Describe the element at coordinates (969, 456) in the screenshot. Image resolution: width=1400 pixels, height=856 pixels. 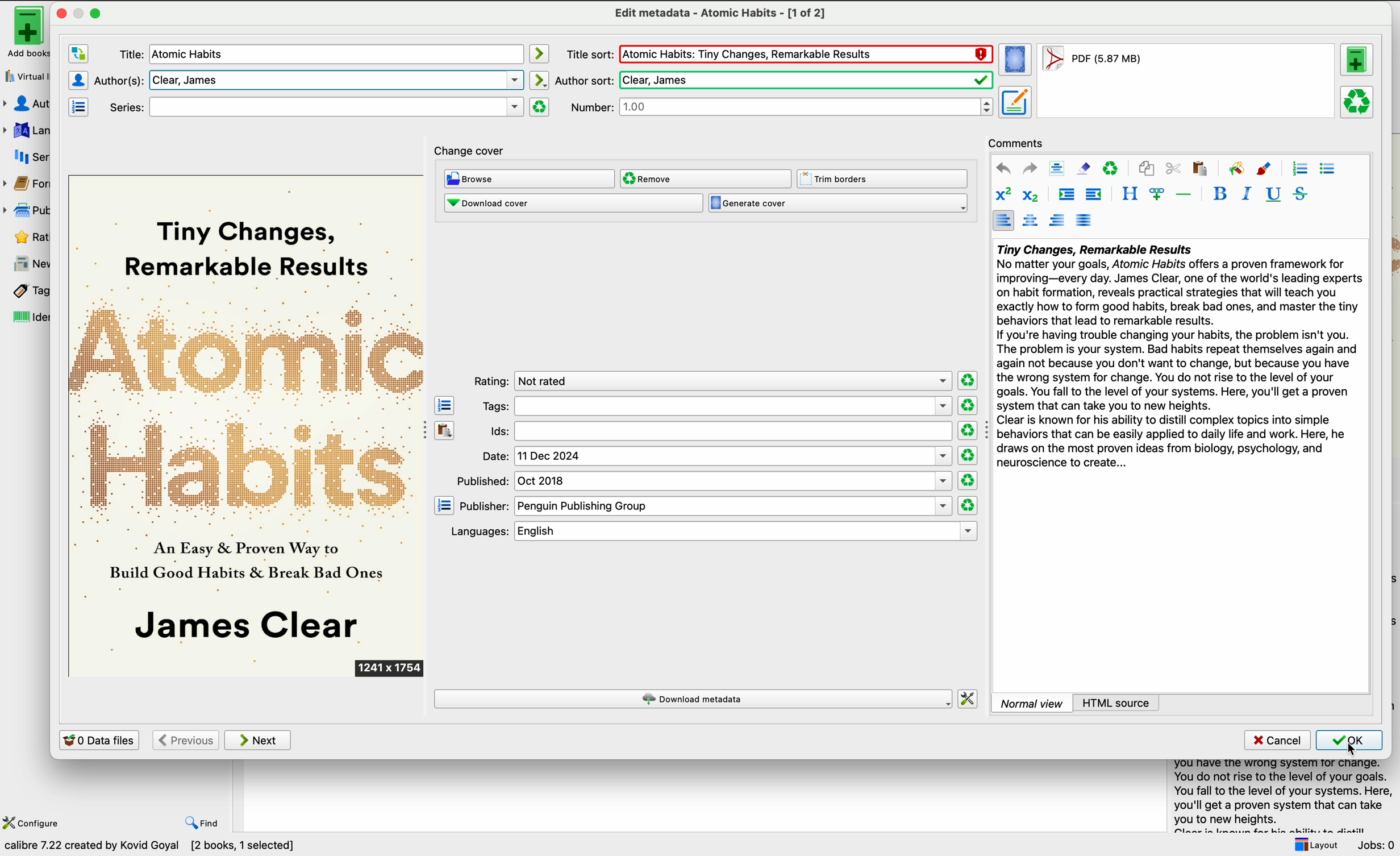
I see `clear rating` at that location.